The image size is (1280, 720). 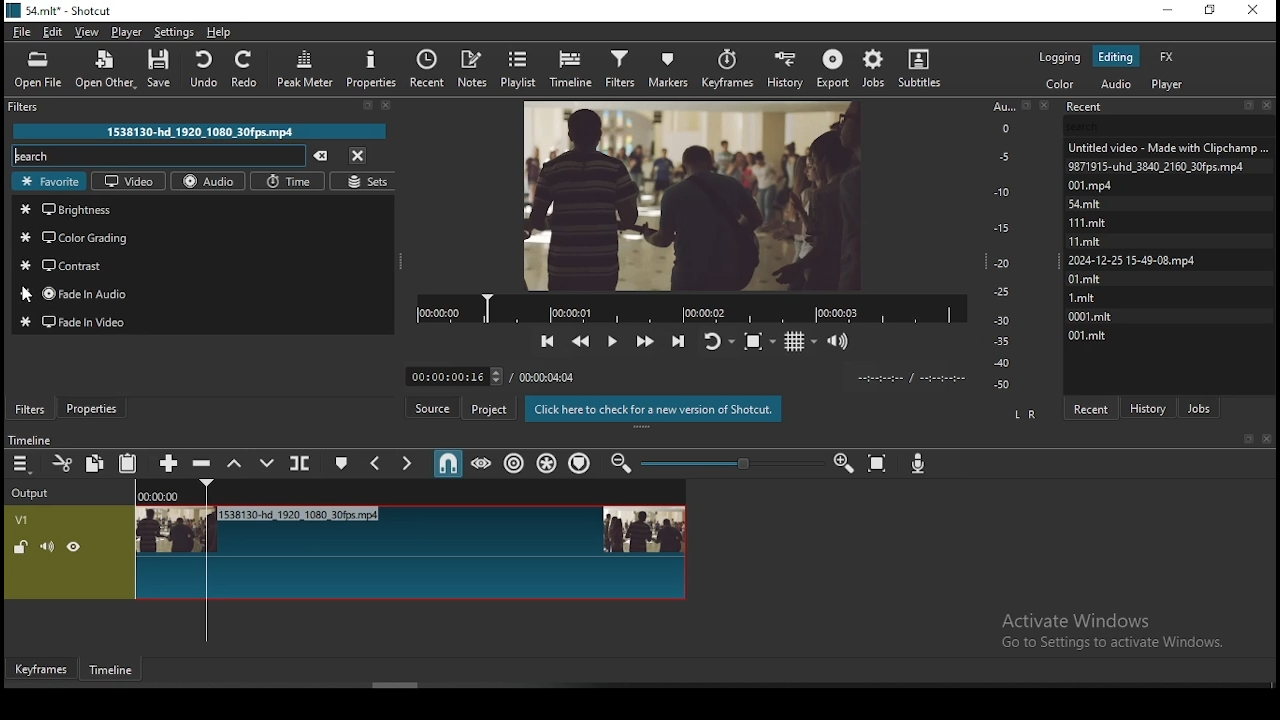 What do you see at coordinates (919, 462) in the screenshot?
I see `record audio` at bounding box center [919, 462].